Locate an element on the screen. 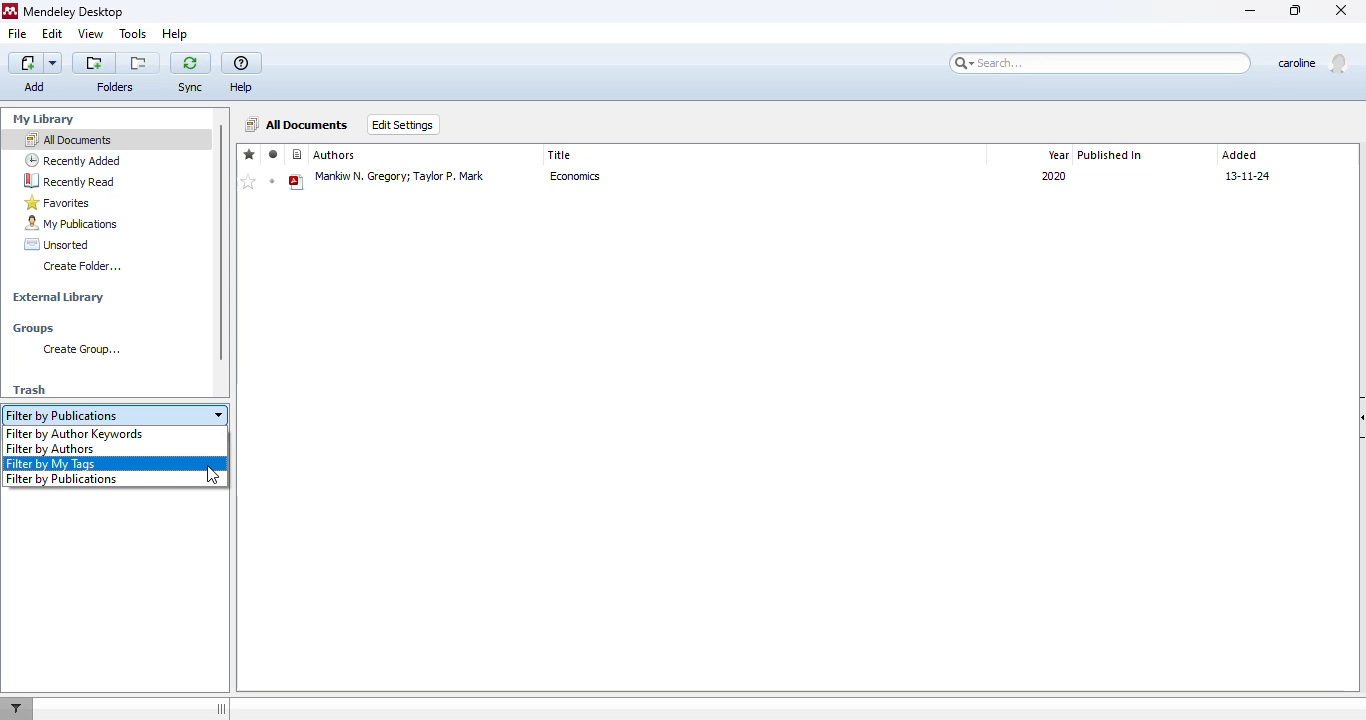 The height and width of the screenshot is (720, 1366). my publications is located at coordinates (70, 223).